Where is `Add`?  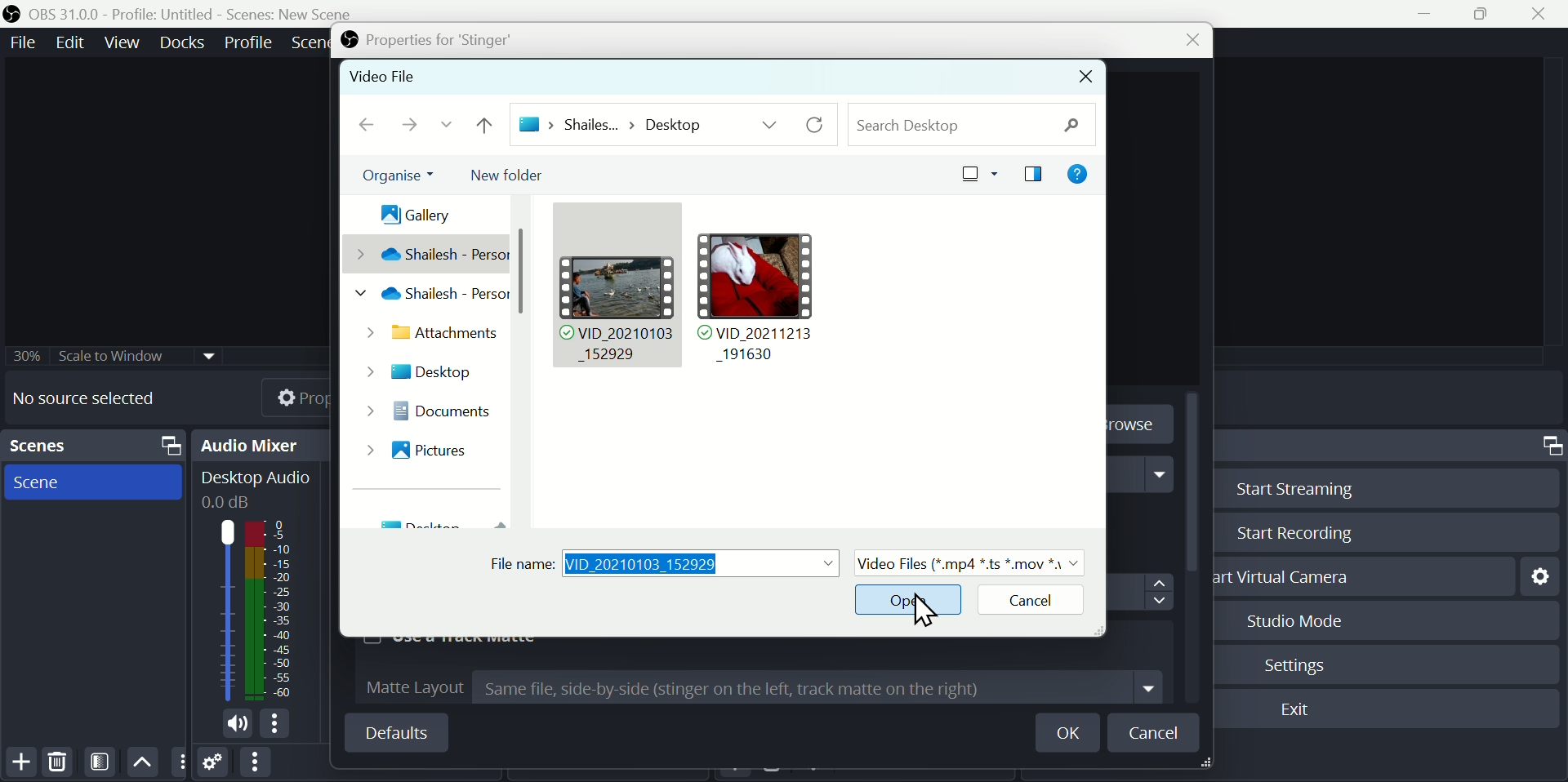 Add is located at coordinates (21, 762).